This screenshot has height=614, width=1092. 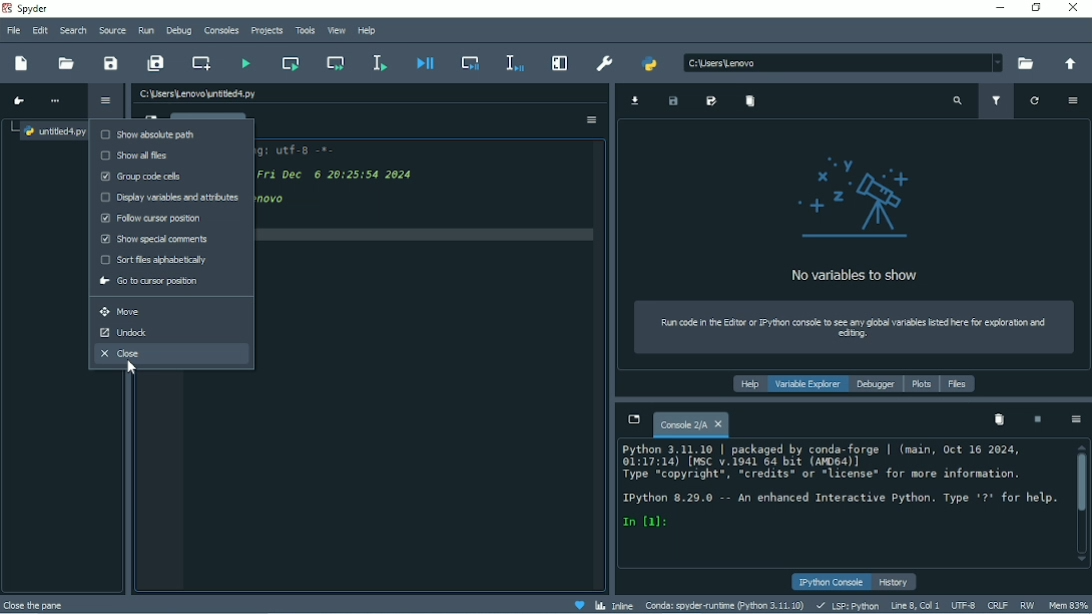 What do you see at coordinates (725, 605) in the screenshot?
I see `Conda` at bounding box center [725, 605].